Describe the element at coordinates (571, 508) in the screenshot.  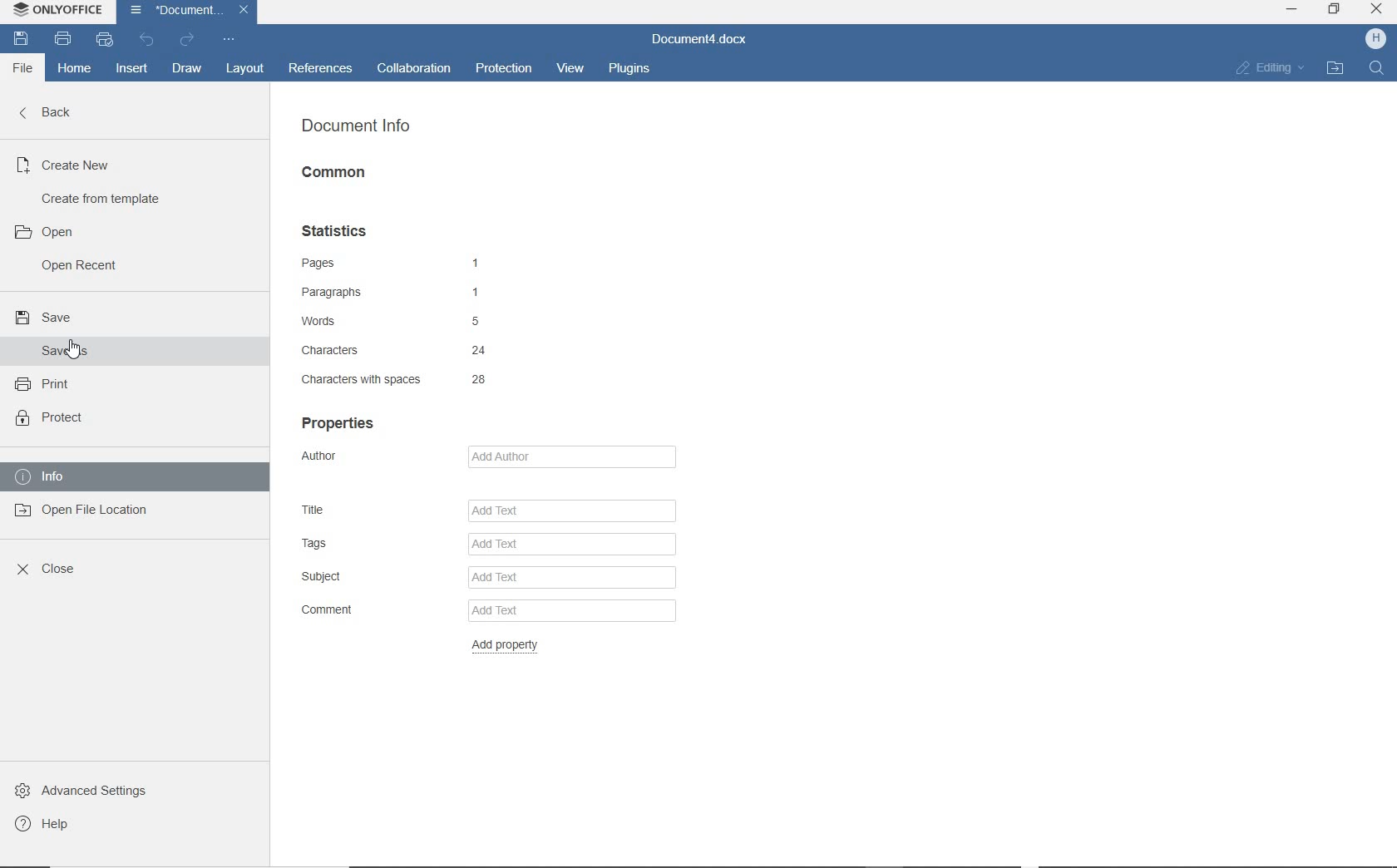
I see `Add Text` at that location.